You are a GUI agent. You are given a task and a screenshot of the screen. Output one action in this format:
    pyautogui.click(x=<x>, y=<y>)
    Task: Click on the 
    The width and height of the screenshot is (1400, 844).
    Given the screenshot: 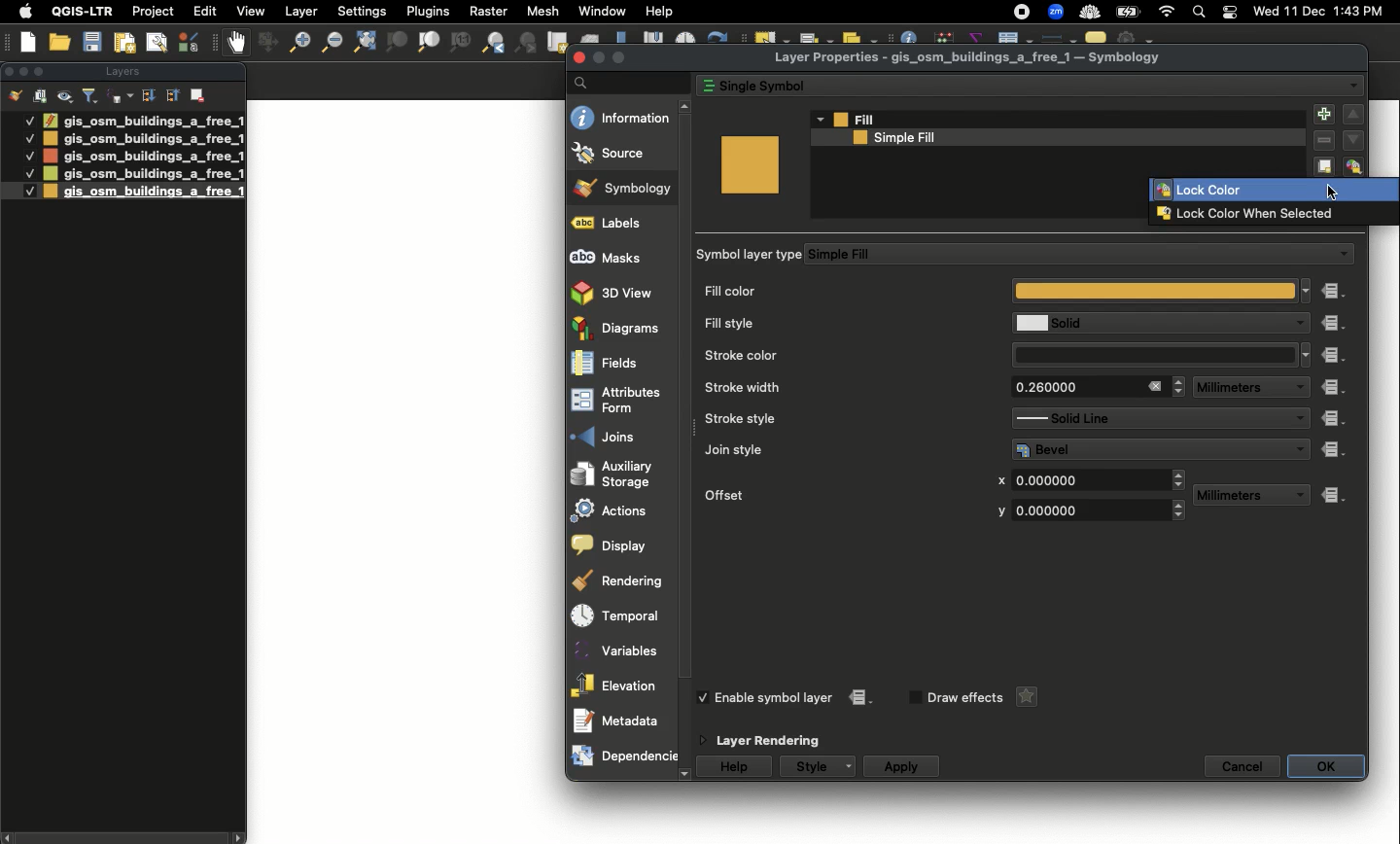 What is the action you would take?
    pyautogui.click(x=1338, y=290)
    